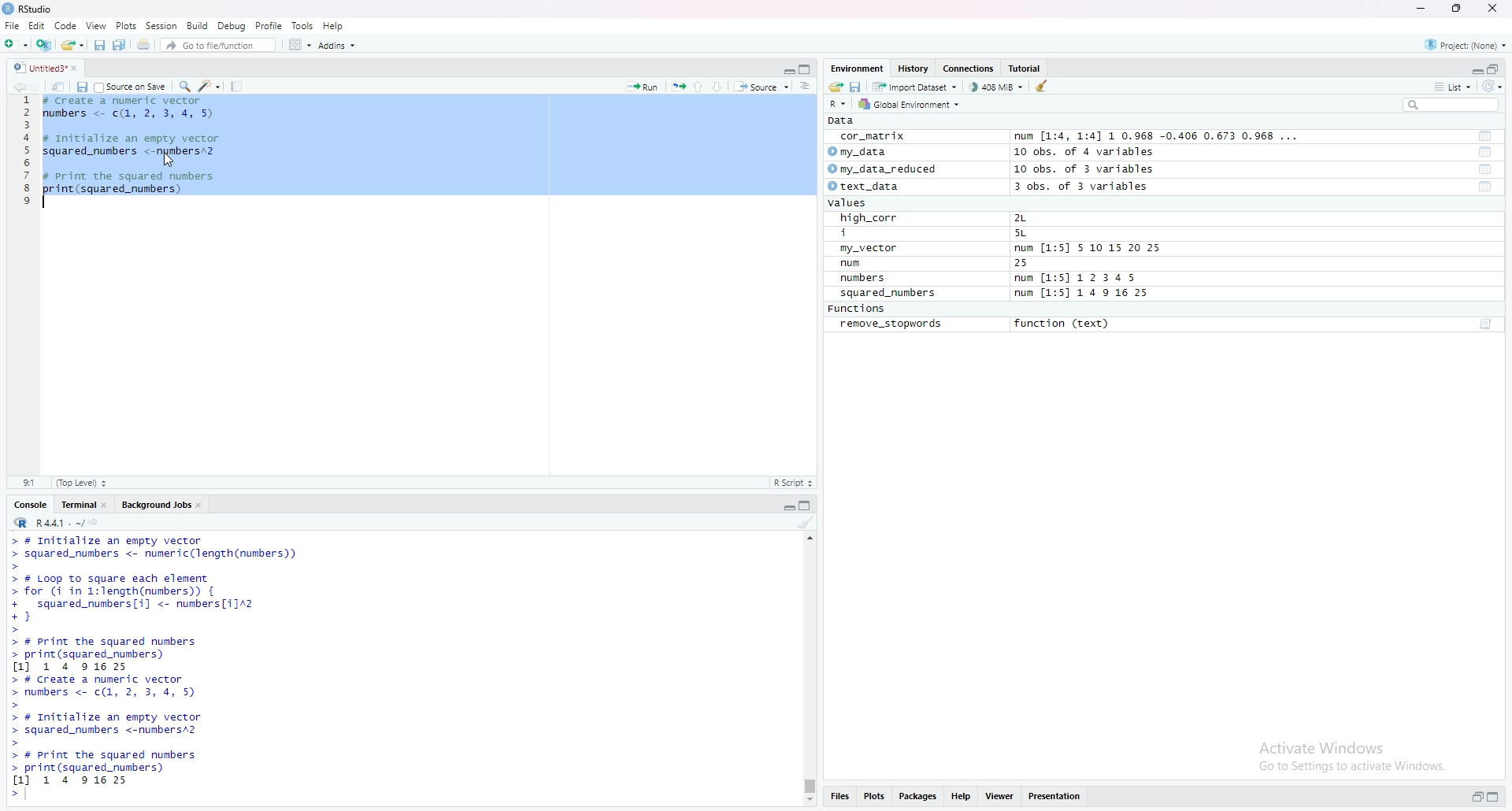 The image size is (1512, 811). What do you see at coordinates (1458, 9) in the screenshot?
I see `maximize` at bounding box center [1458, 9].